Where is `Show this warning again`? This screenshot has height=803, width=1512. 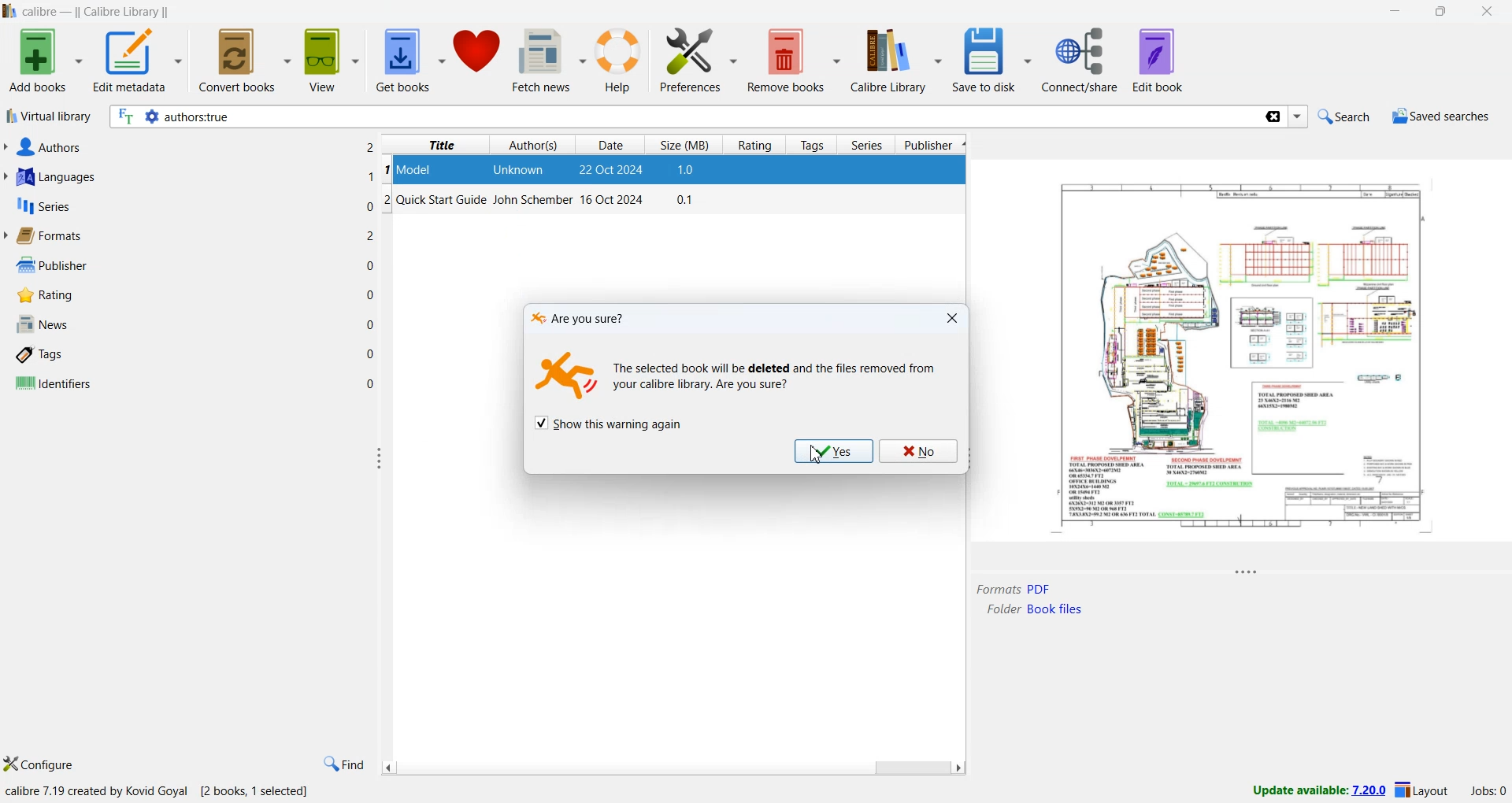 Show this warning again is located at coordinates (609, 423).